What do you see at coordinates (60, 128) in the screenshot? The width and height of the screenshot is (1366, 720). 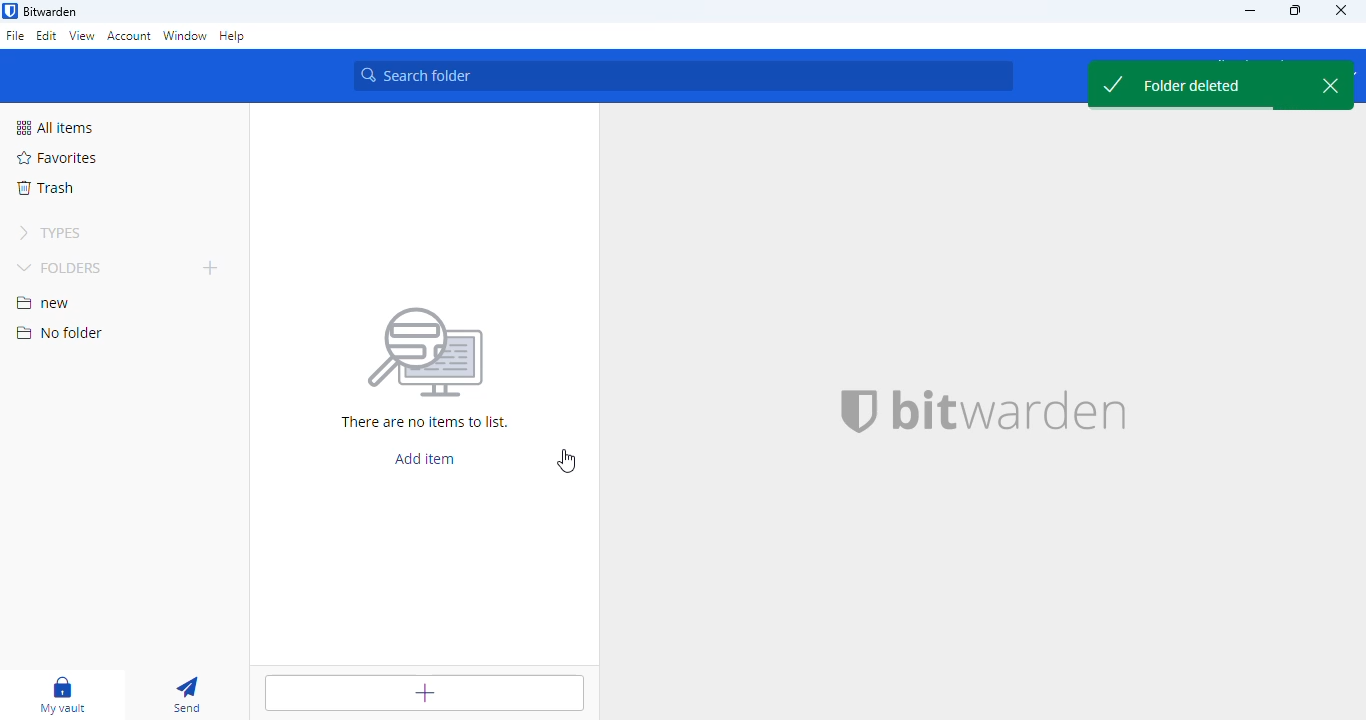 I see `all items` at bounding box center [60, 128].